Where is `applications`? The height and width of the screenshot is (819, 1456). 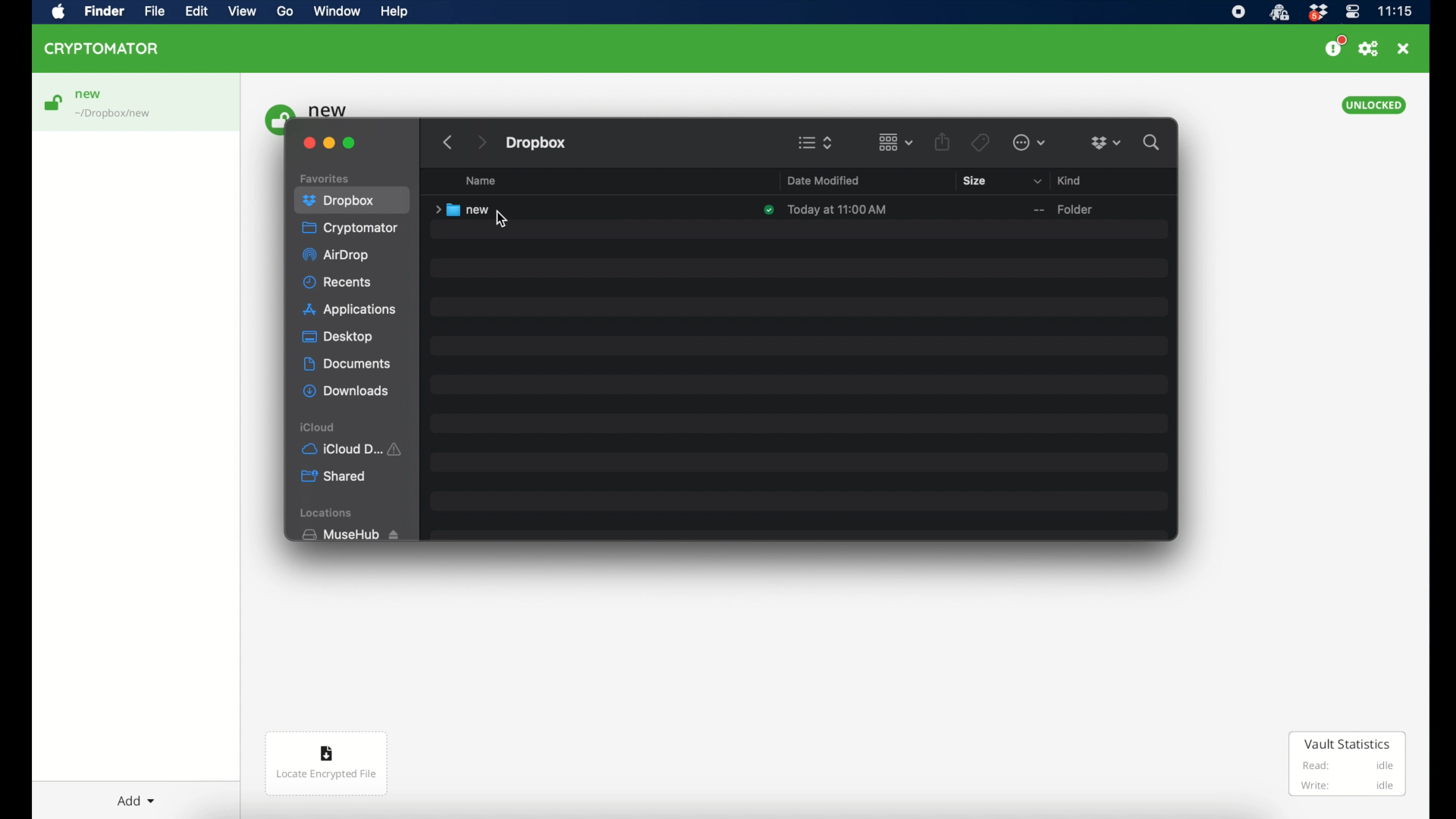 applications is located at coordinates (352, 310).